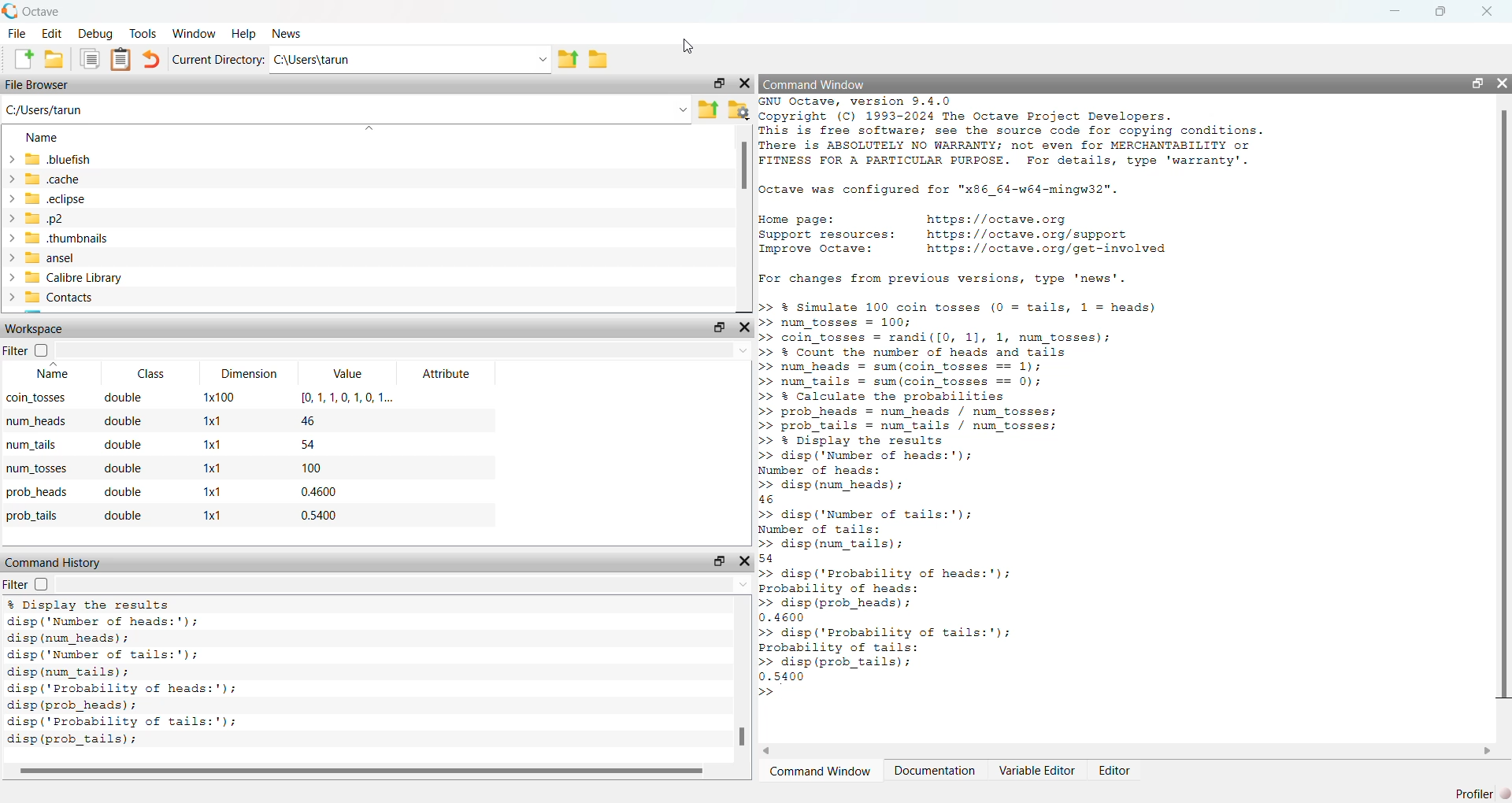 Image resolution: width=1512 pixels, height=803 pixels. I want to click on Tools, so click(144, 33).